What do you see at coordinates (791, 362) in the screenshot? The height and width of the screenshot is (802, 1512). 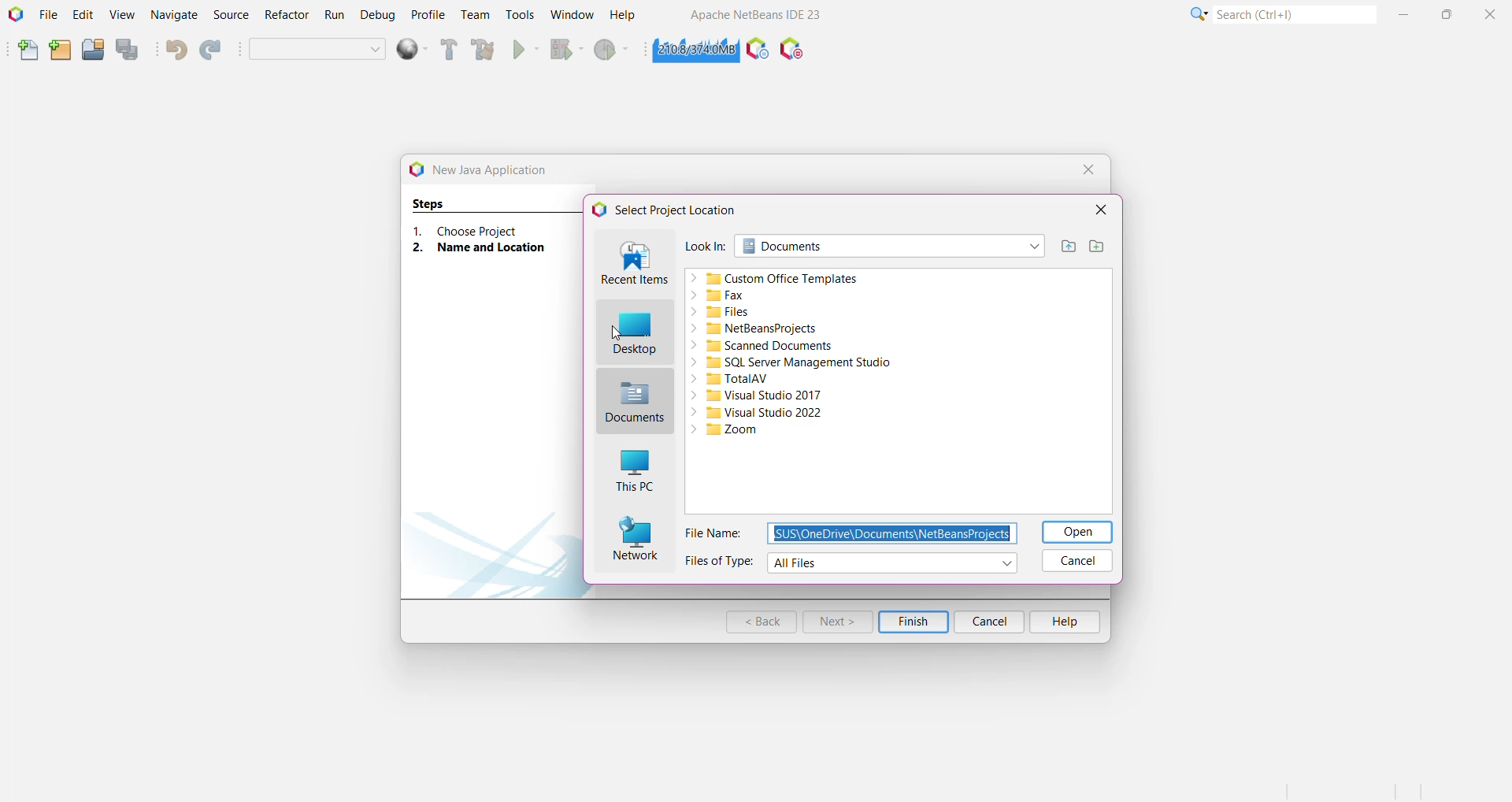 I see `SQL Server Management Studio` at bounding box center [791, 362].